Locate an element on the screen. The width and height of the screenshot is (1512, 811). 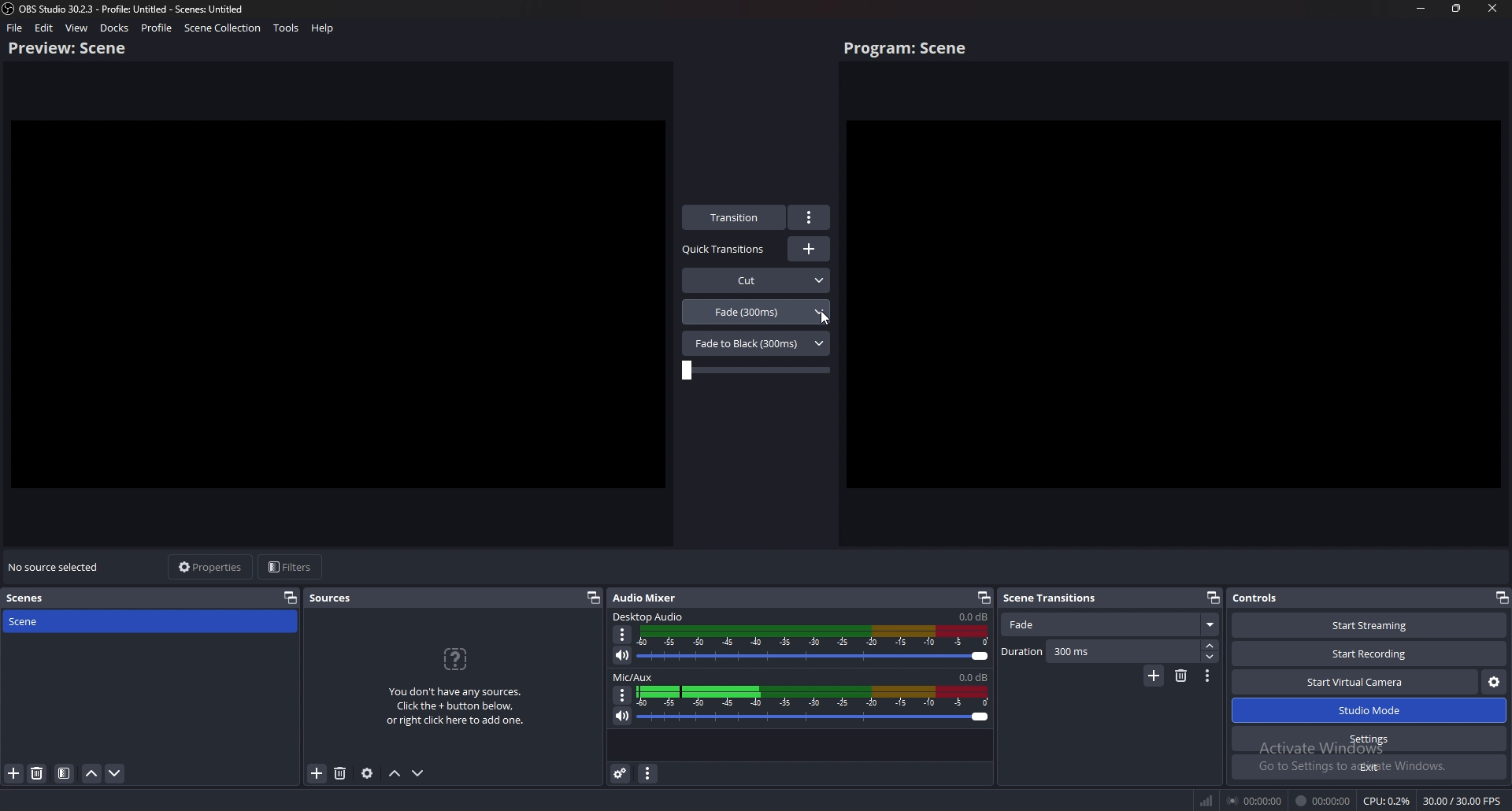
program scene is located at coordinates (909, 49).